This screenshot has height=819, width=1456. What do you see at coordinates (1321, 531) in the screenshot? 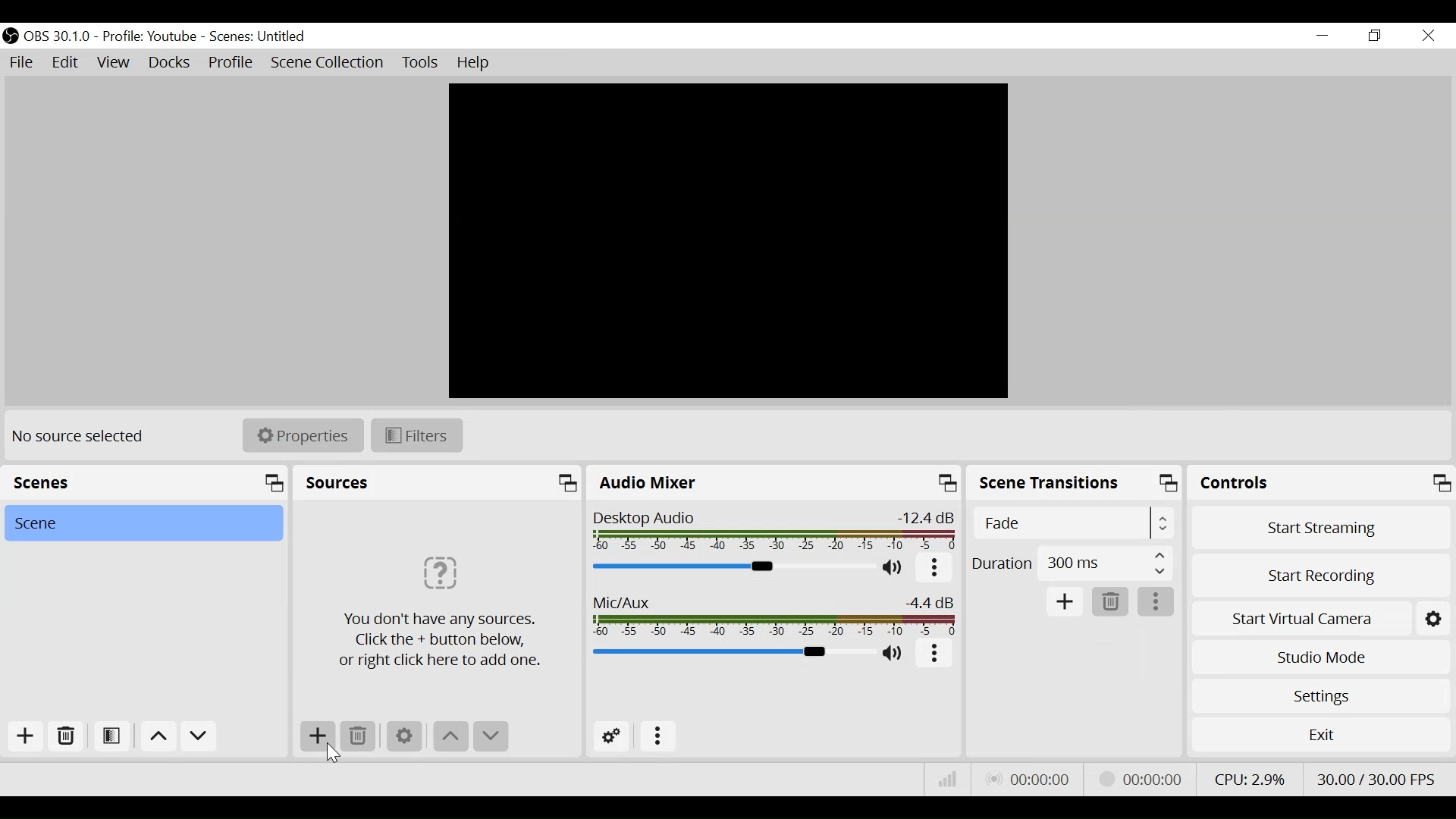
I see `Start Streaming` at bounding box center [1321, 531].